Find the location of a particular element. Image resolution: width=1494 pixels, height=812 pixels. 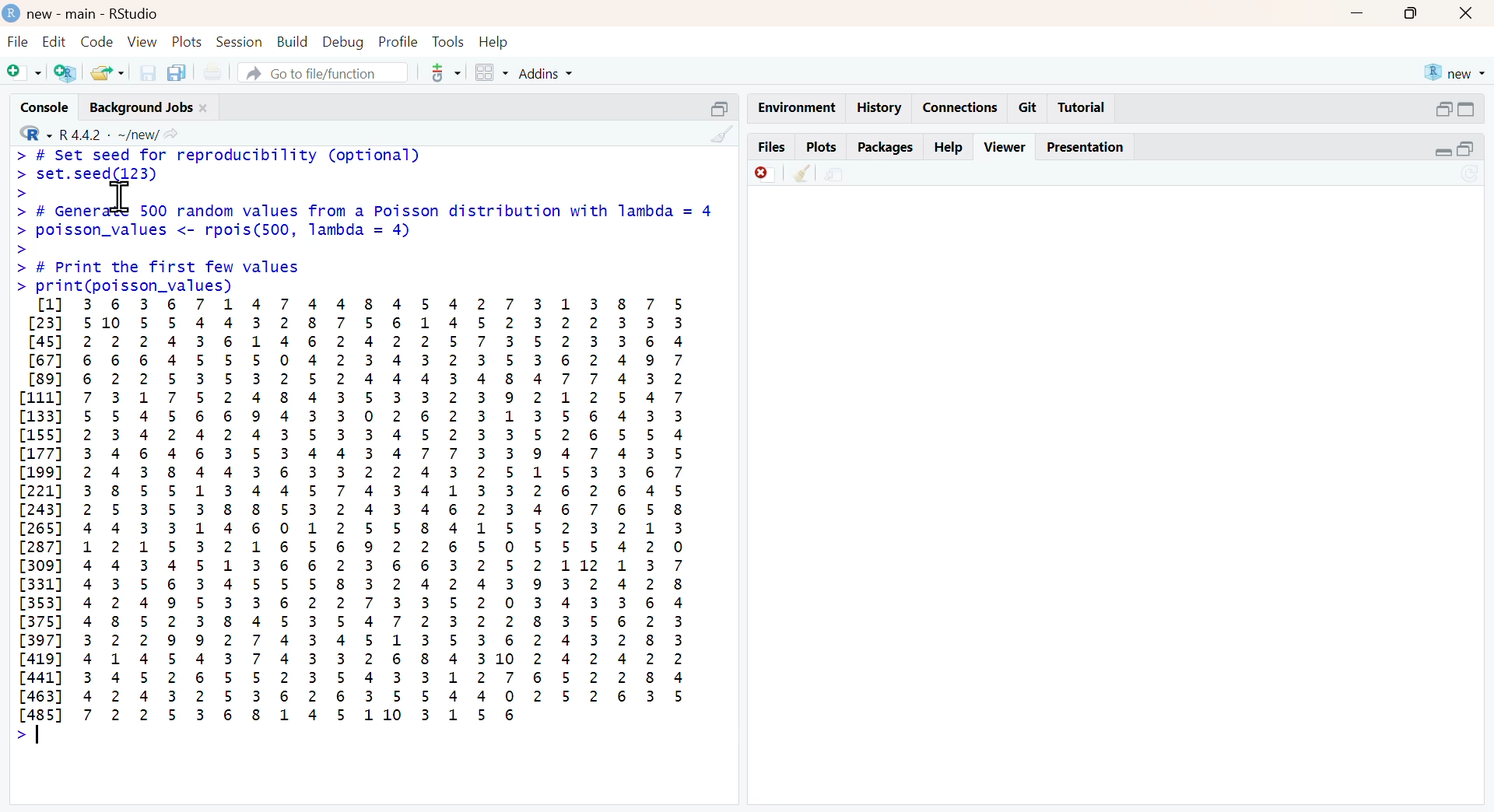

file is located at coordinates (20, 41).